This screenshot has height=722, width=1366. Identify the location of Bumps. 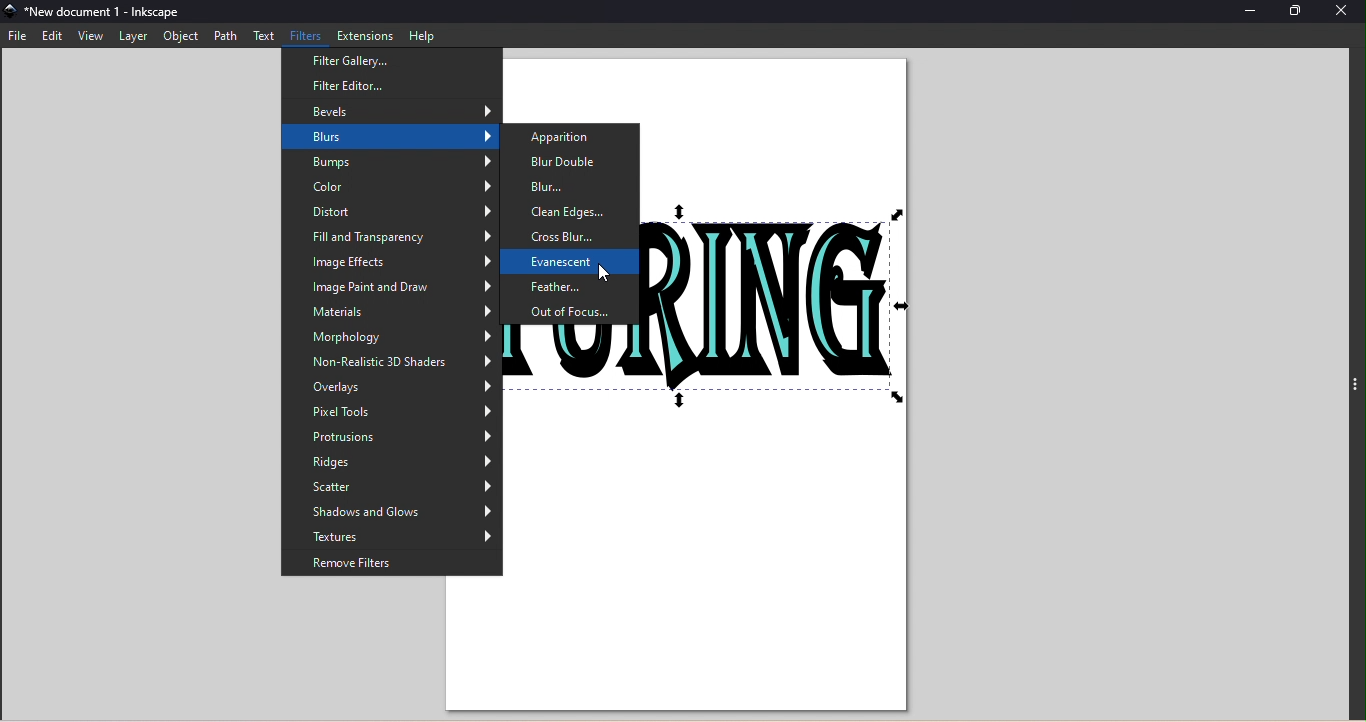
(393, 159).